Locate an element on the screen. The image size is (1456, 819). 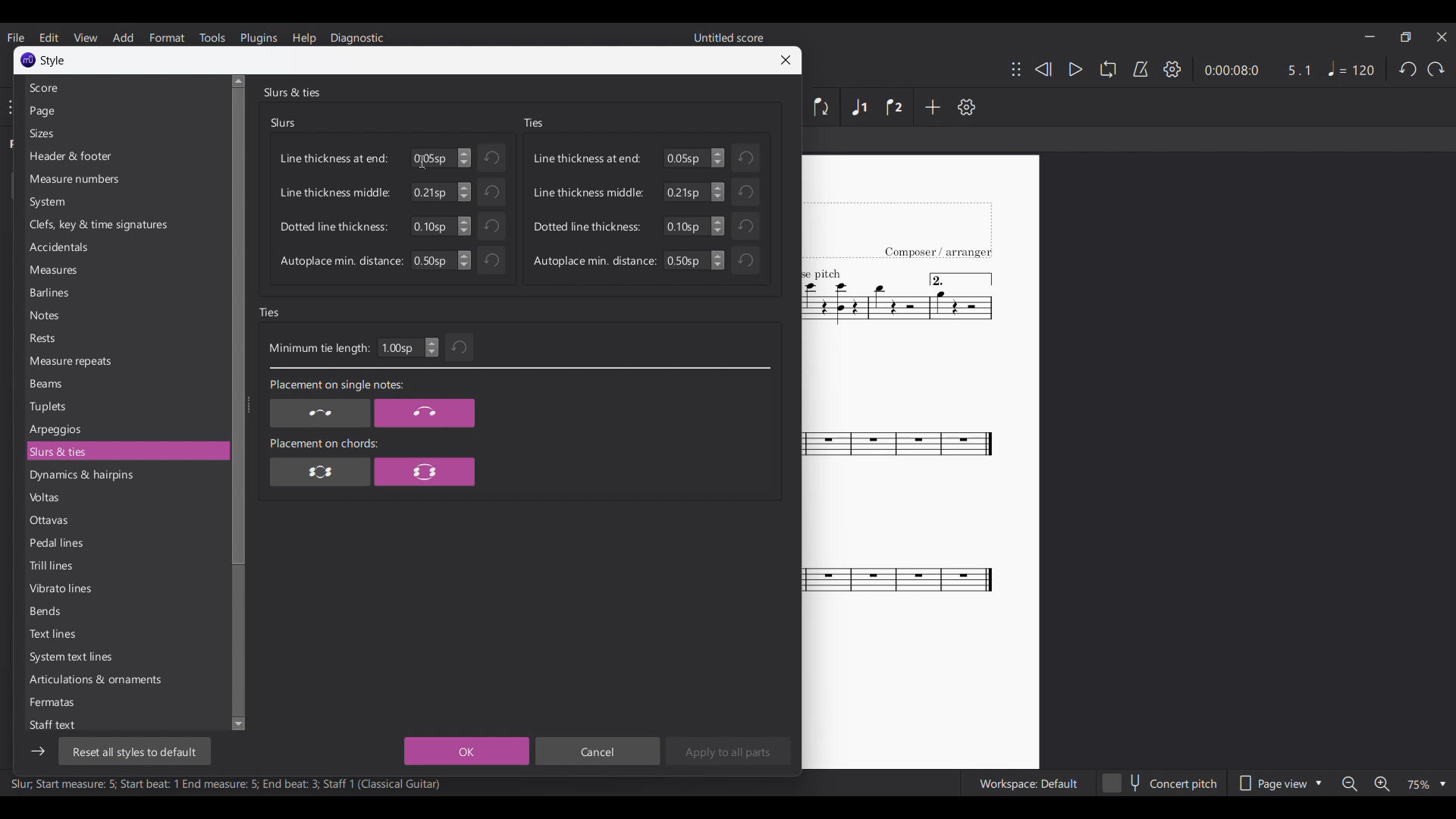
Help menu is located at coordinates (304, 38).